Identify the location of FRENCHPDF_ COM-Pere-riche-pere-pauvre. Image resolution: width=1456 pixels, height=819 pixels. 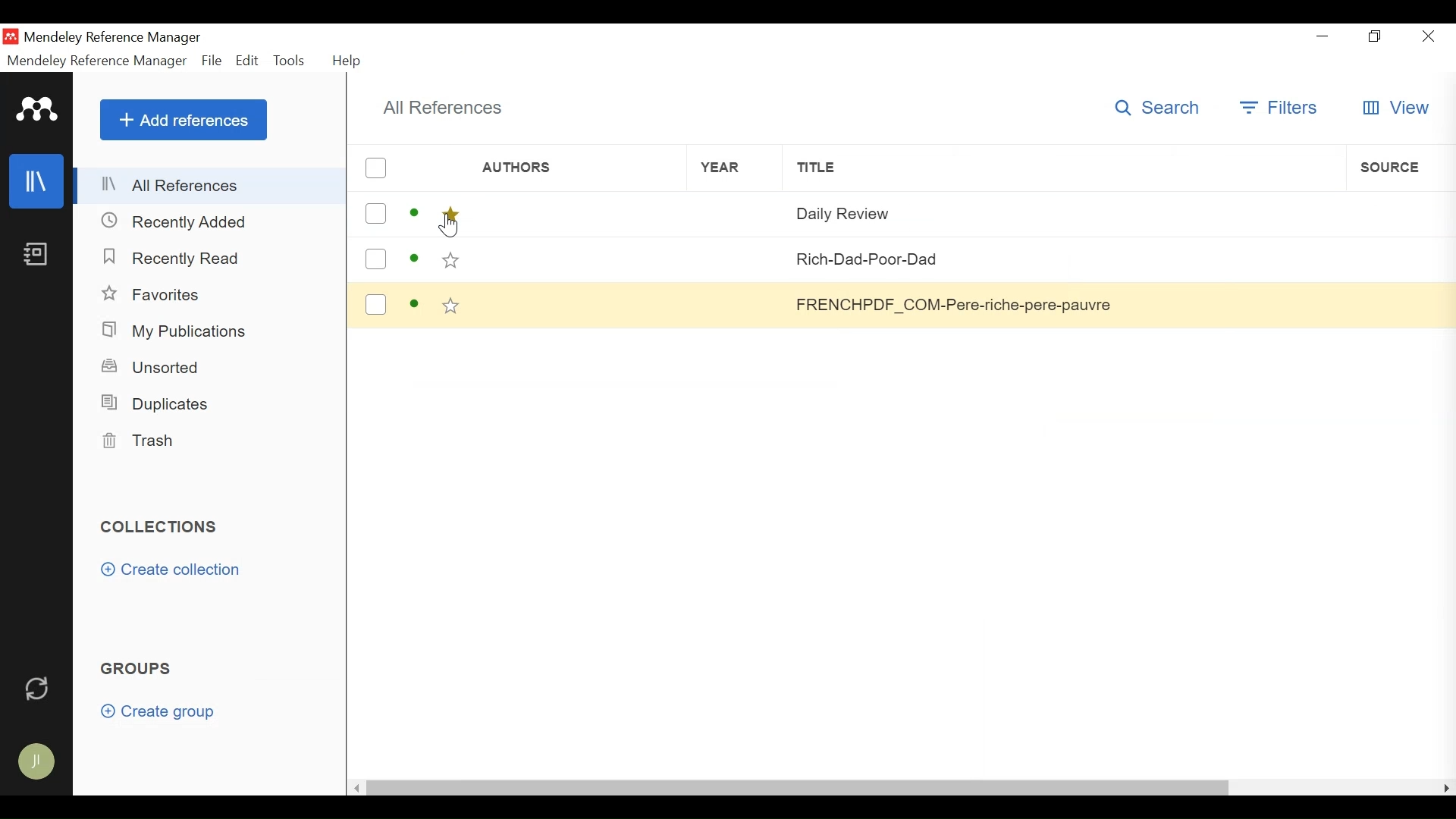
(953, 306).